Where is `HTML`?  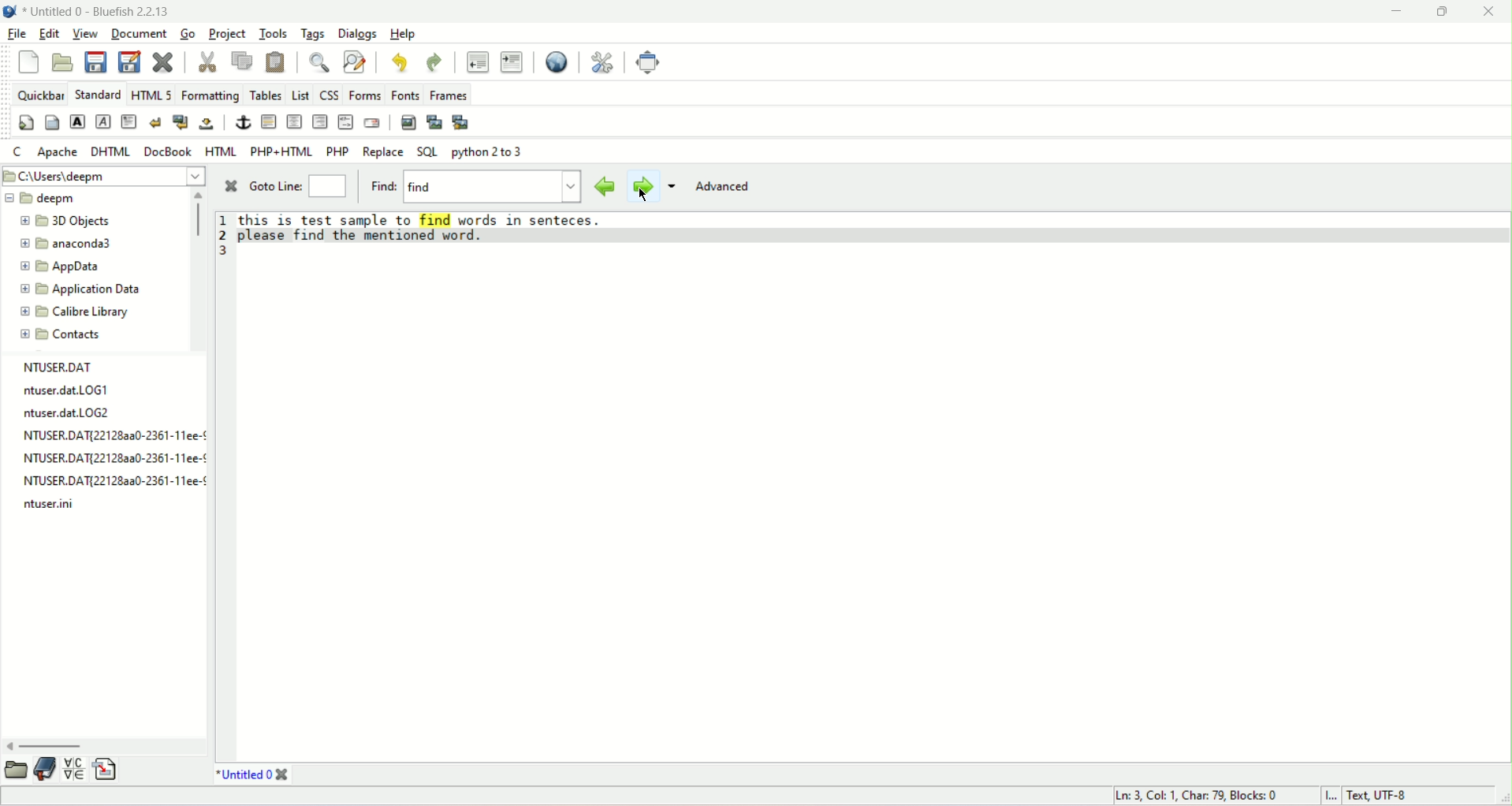 HTML is located at coordinates (220, 151).